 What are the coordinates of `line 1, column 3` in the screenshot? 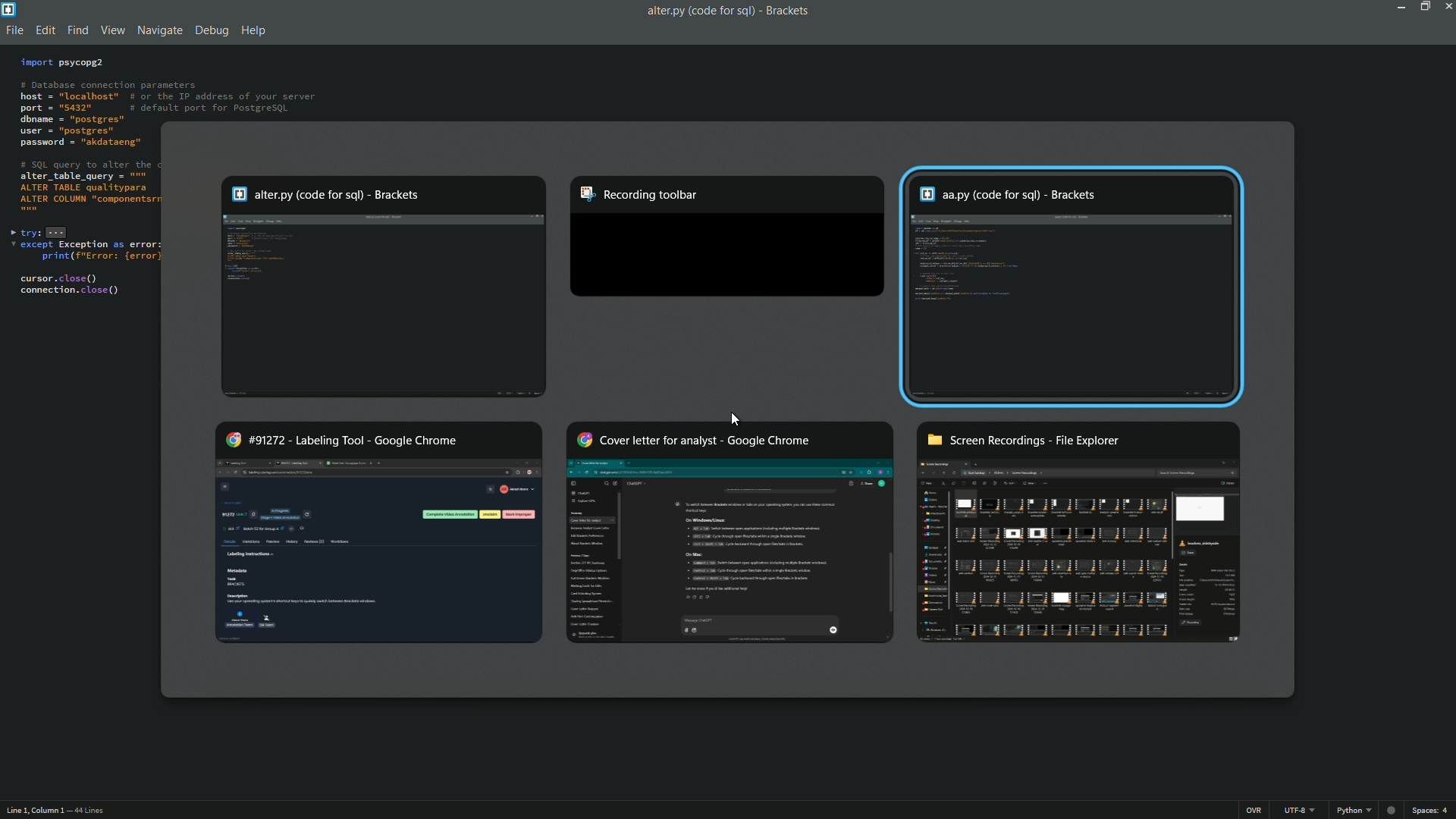 It's located at (33, 812).